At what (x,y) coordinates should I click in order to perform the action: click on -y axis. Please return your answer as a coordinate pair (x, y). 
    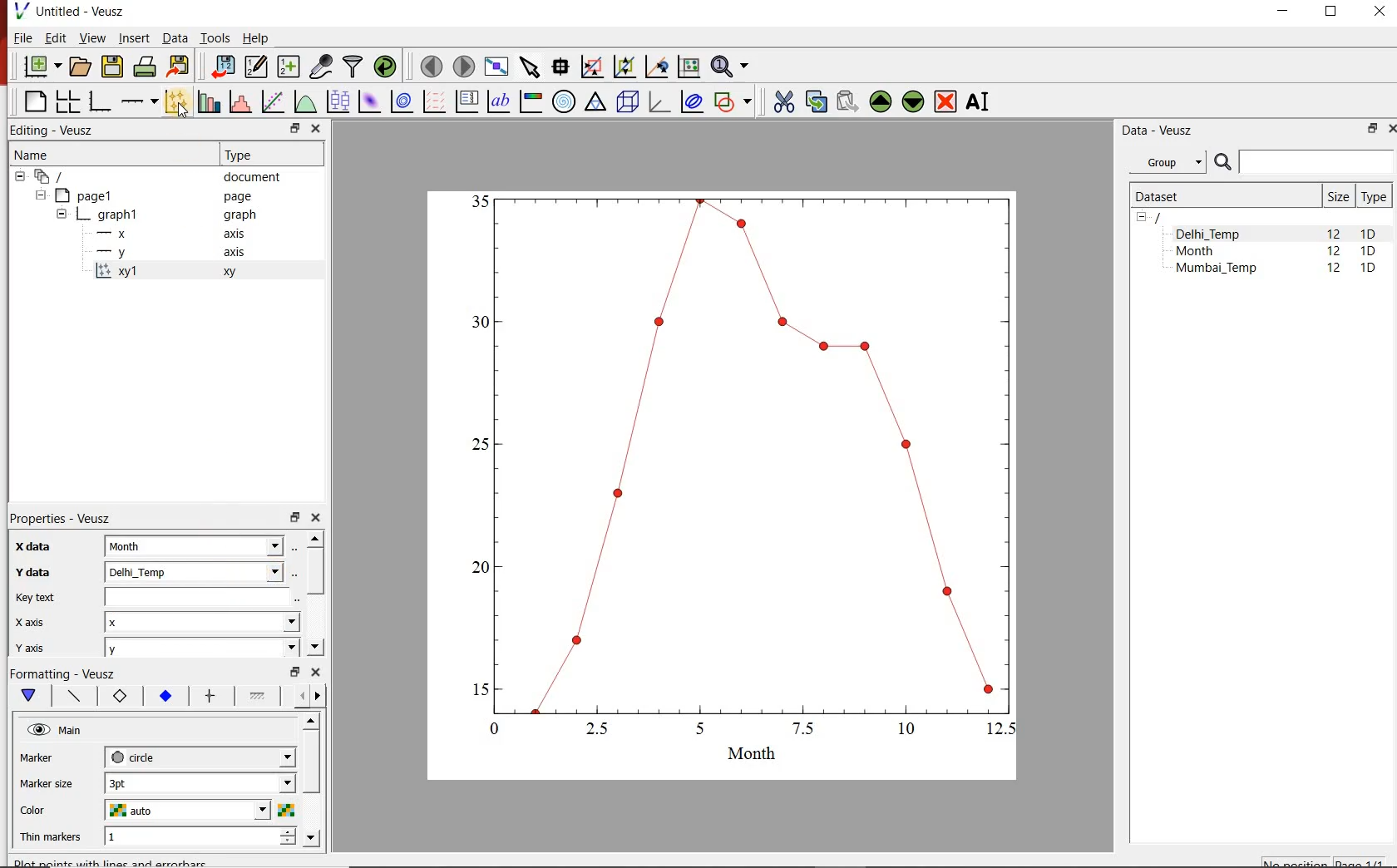
    Looking at the image, I should click on (164, 254).